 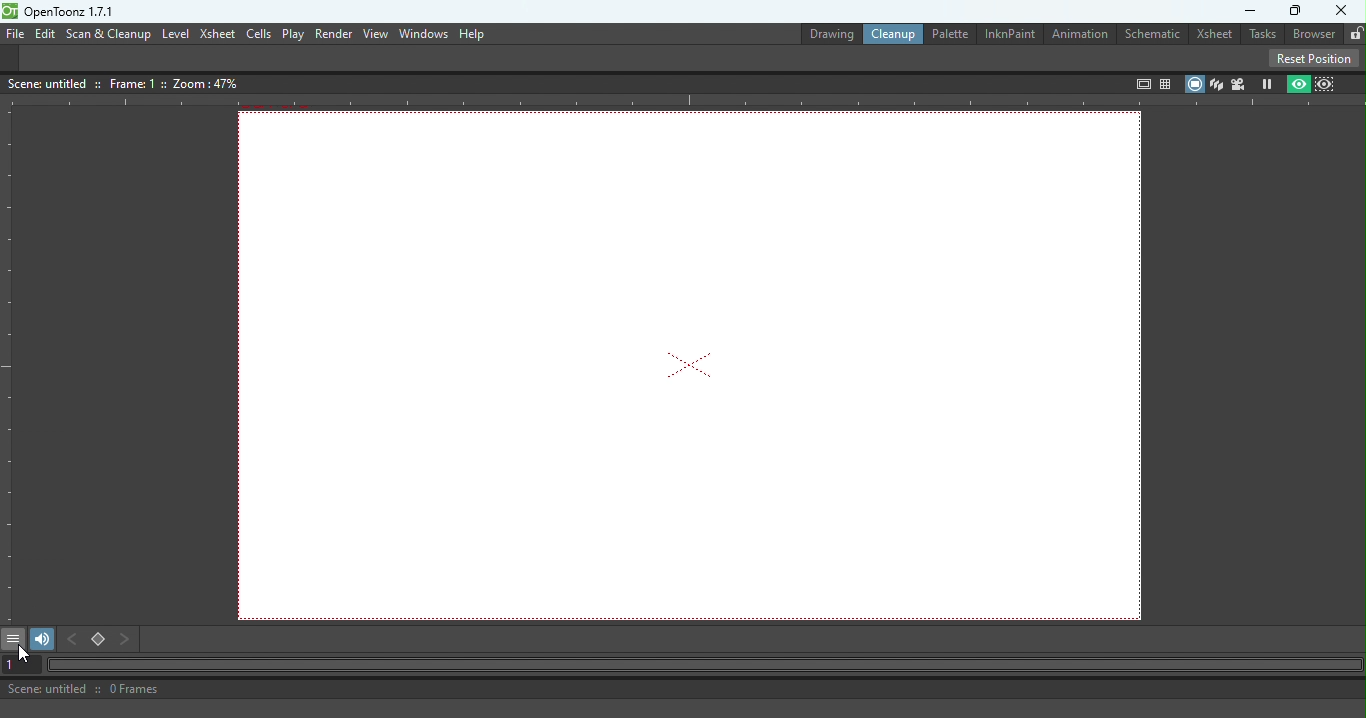 I want to click on Horizontal scroll bar", so click(x=700, y=665).